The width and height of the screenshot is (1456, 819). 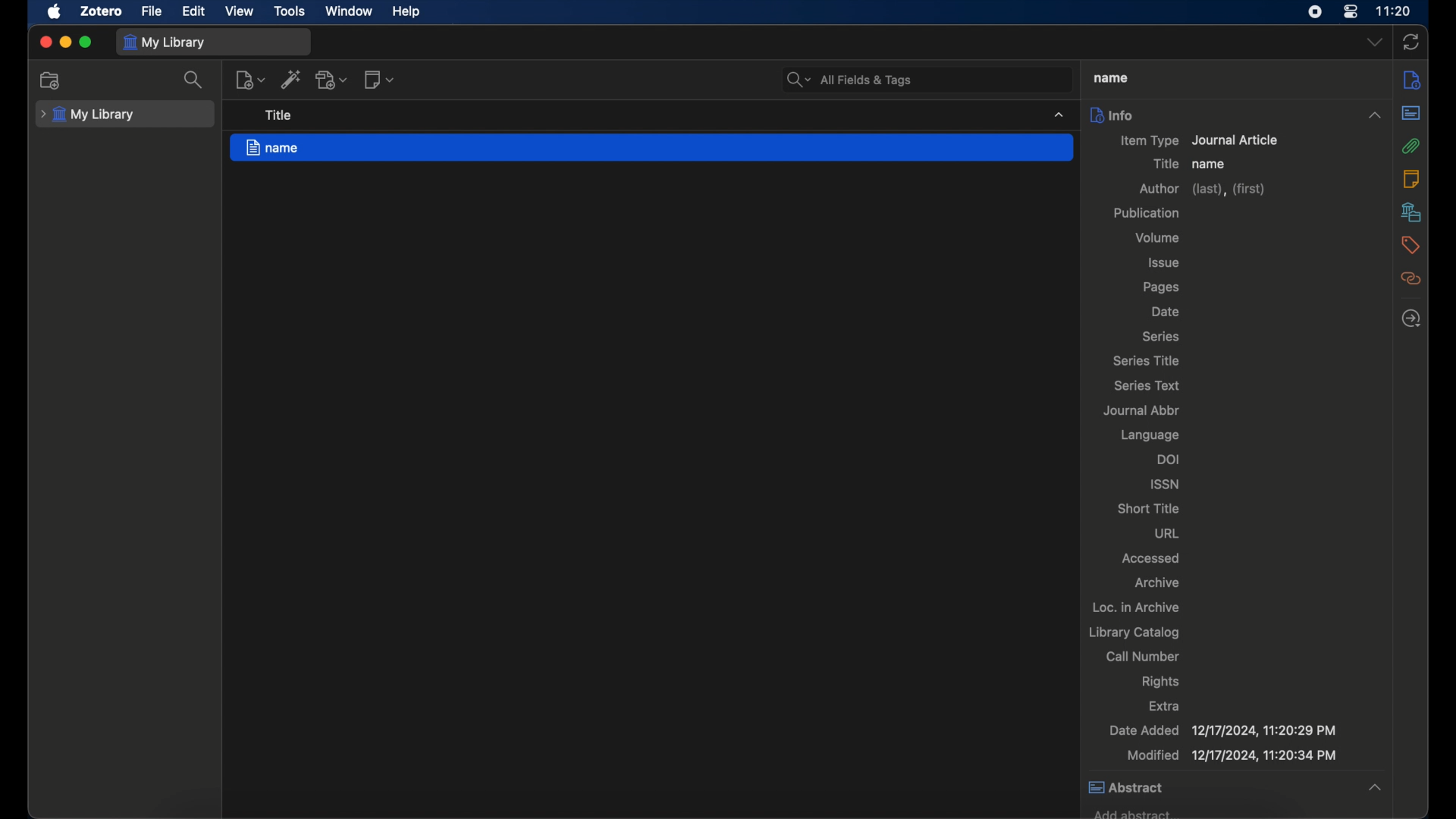 What do you see at coordinates (1411, 212) in the screenshot?
I see `libraries` at bounding box center [1411, 212].